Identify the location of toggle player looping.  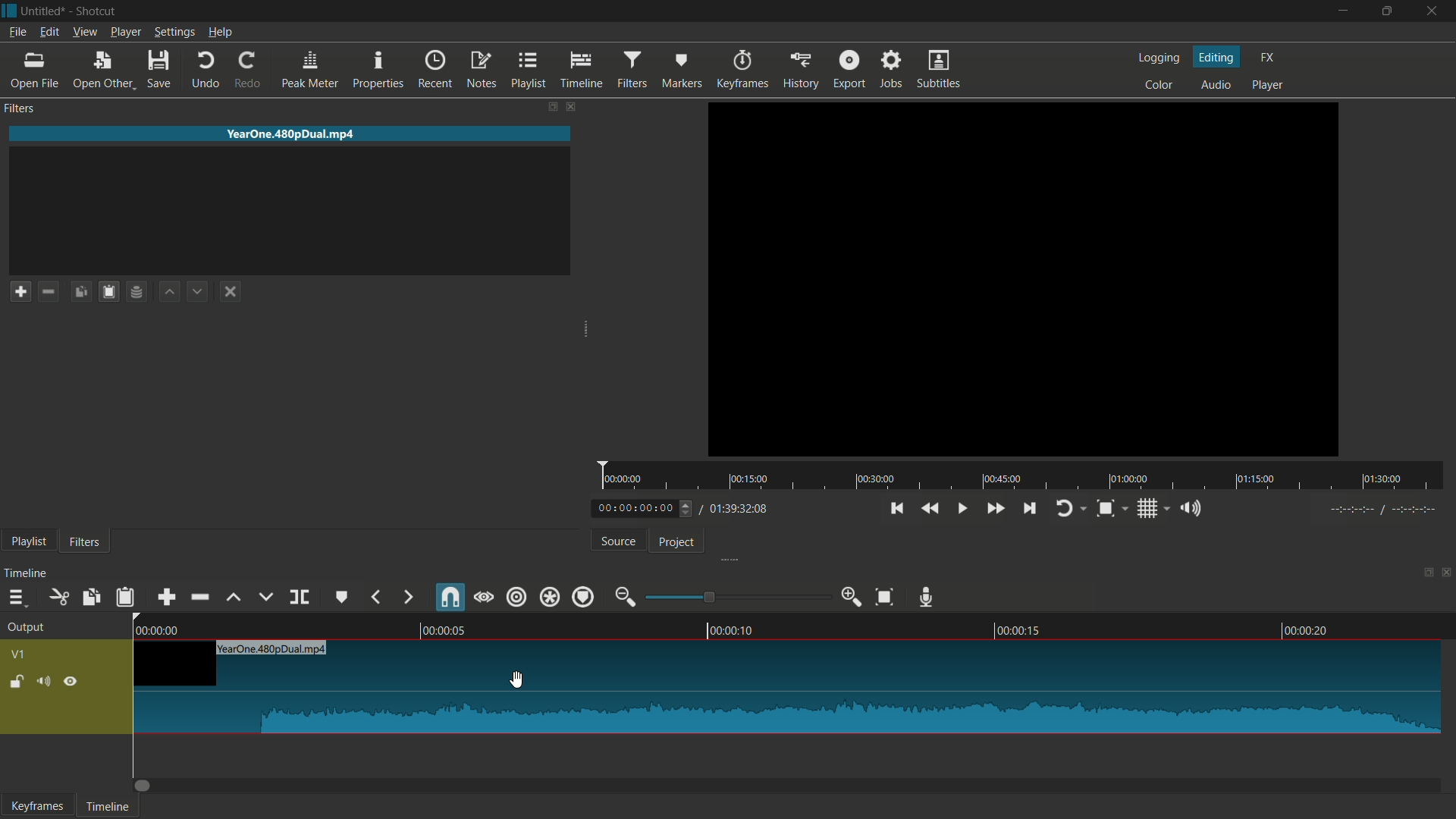
(1064, 510).